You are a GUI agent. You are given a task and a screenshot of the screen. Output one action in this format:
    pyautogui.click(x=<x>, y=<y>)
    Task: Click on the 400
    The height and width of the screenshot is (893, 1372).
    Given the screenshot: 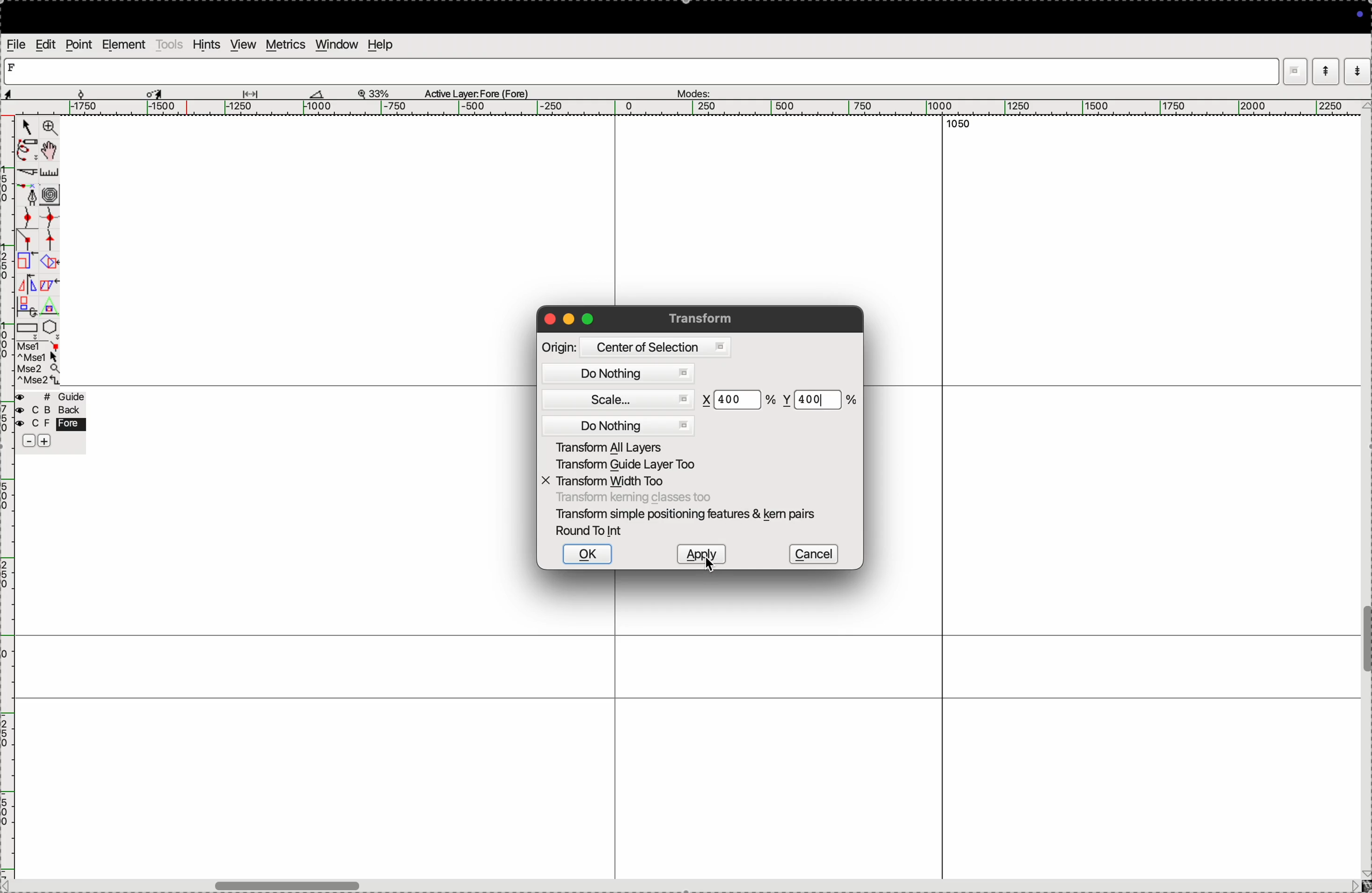 What is the action you would take?
    pyautogui.click(x=733, y=400)
    